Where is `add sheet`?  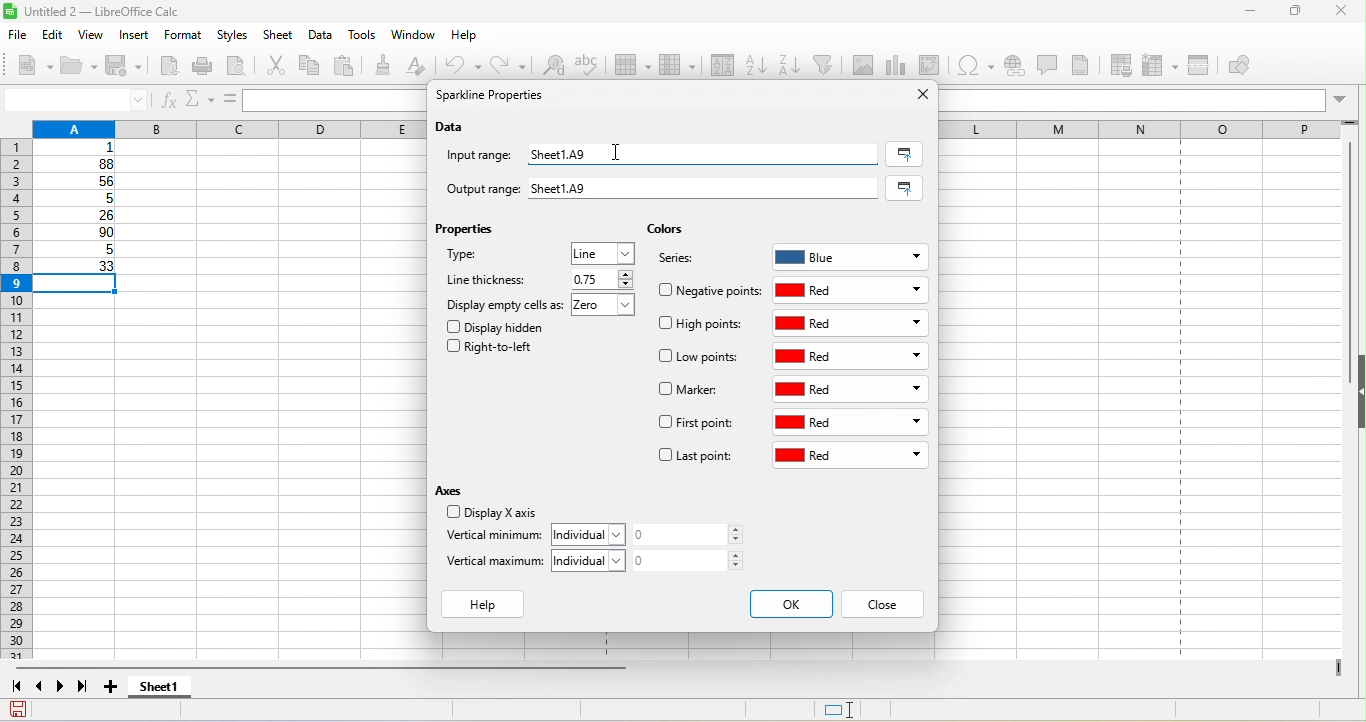 add sheet is located at coordinates (113, 687).